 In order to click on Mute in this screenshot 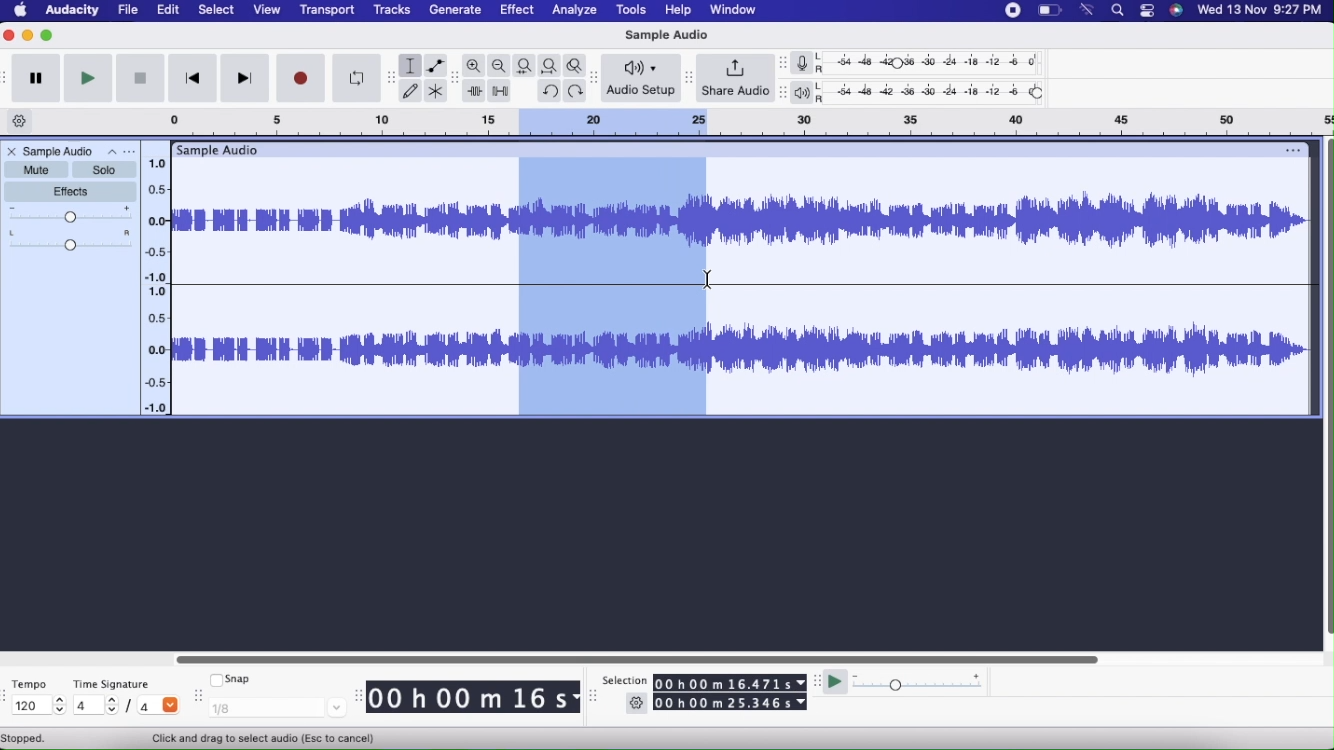, I will do `click(35, 169)`.